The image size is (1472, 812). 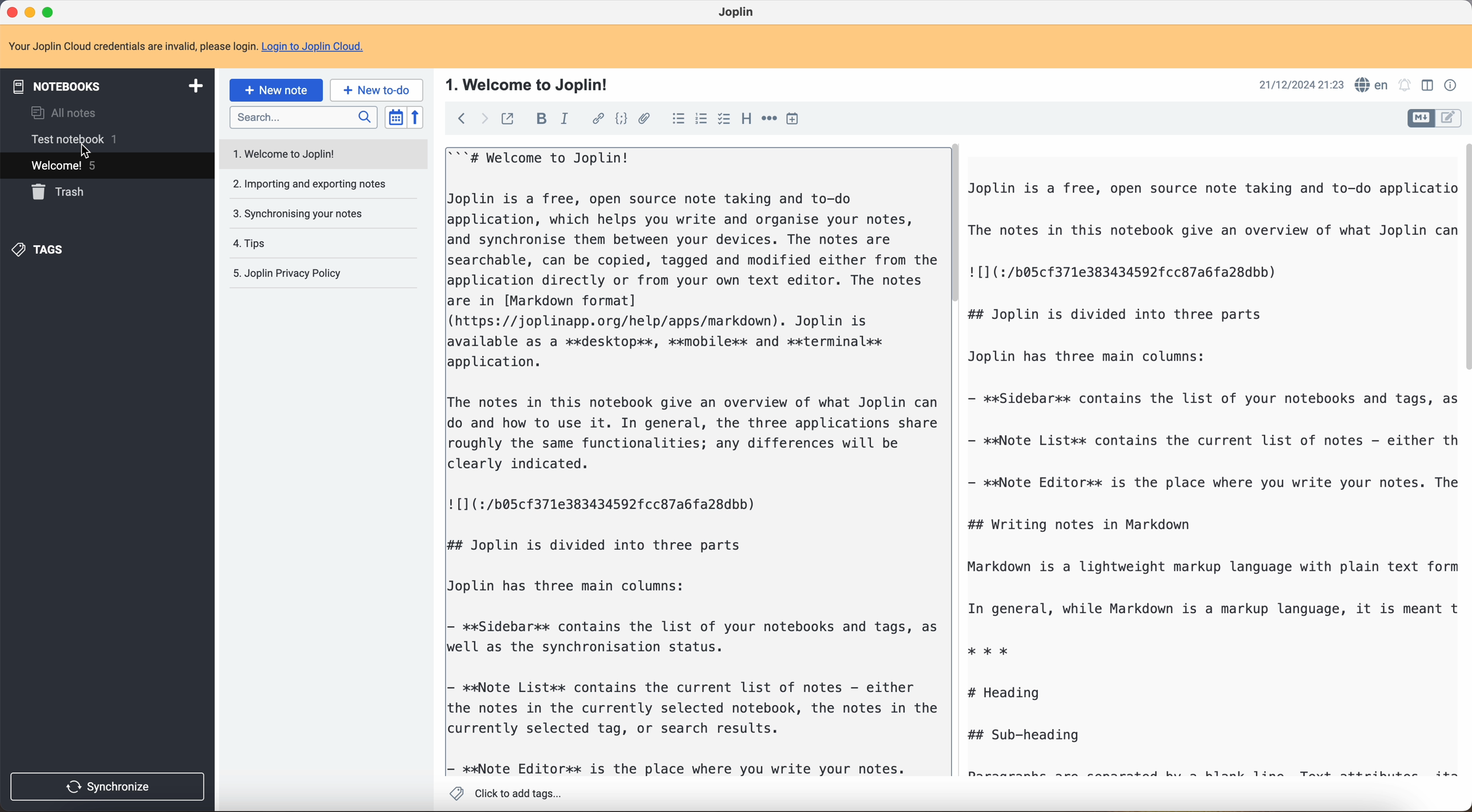 I want to click on toggle editor layout, so click(x=1453, y=117).